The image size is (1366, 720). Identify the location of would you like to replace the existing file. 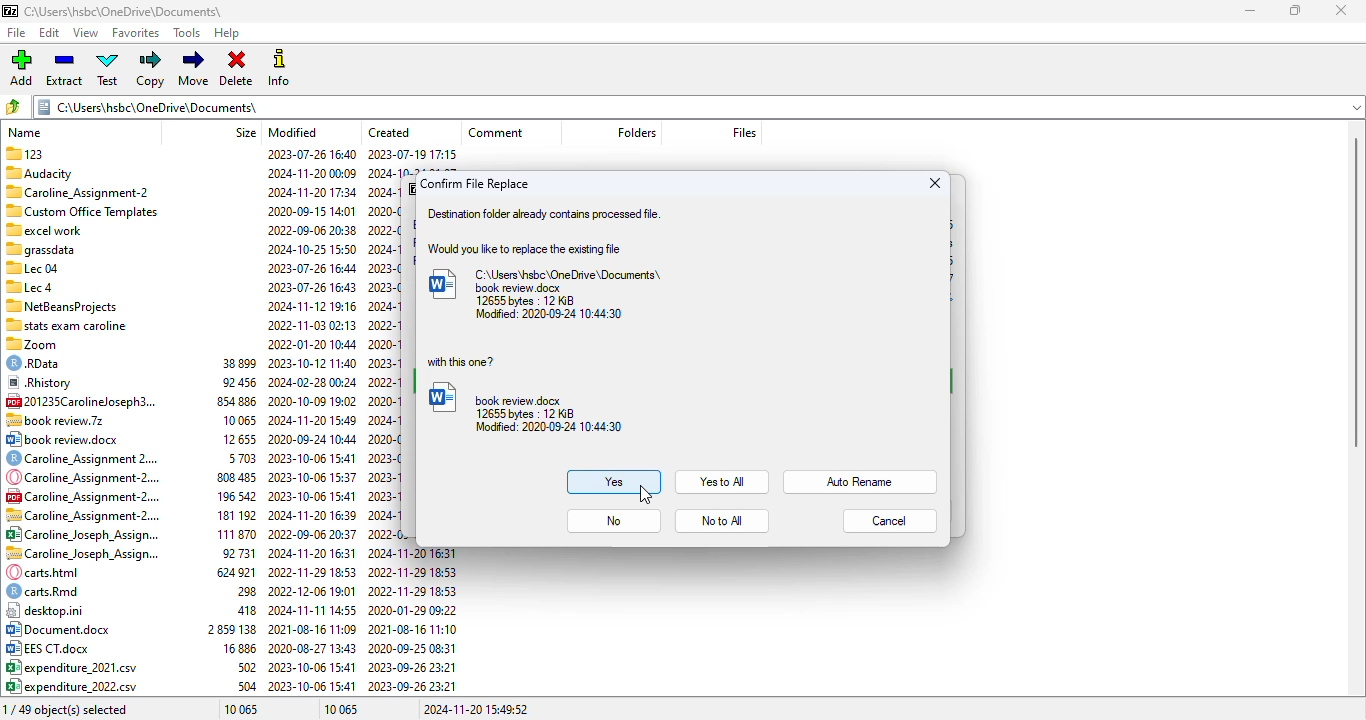
(525, 250).